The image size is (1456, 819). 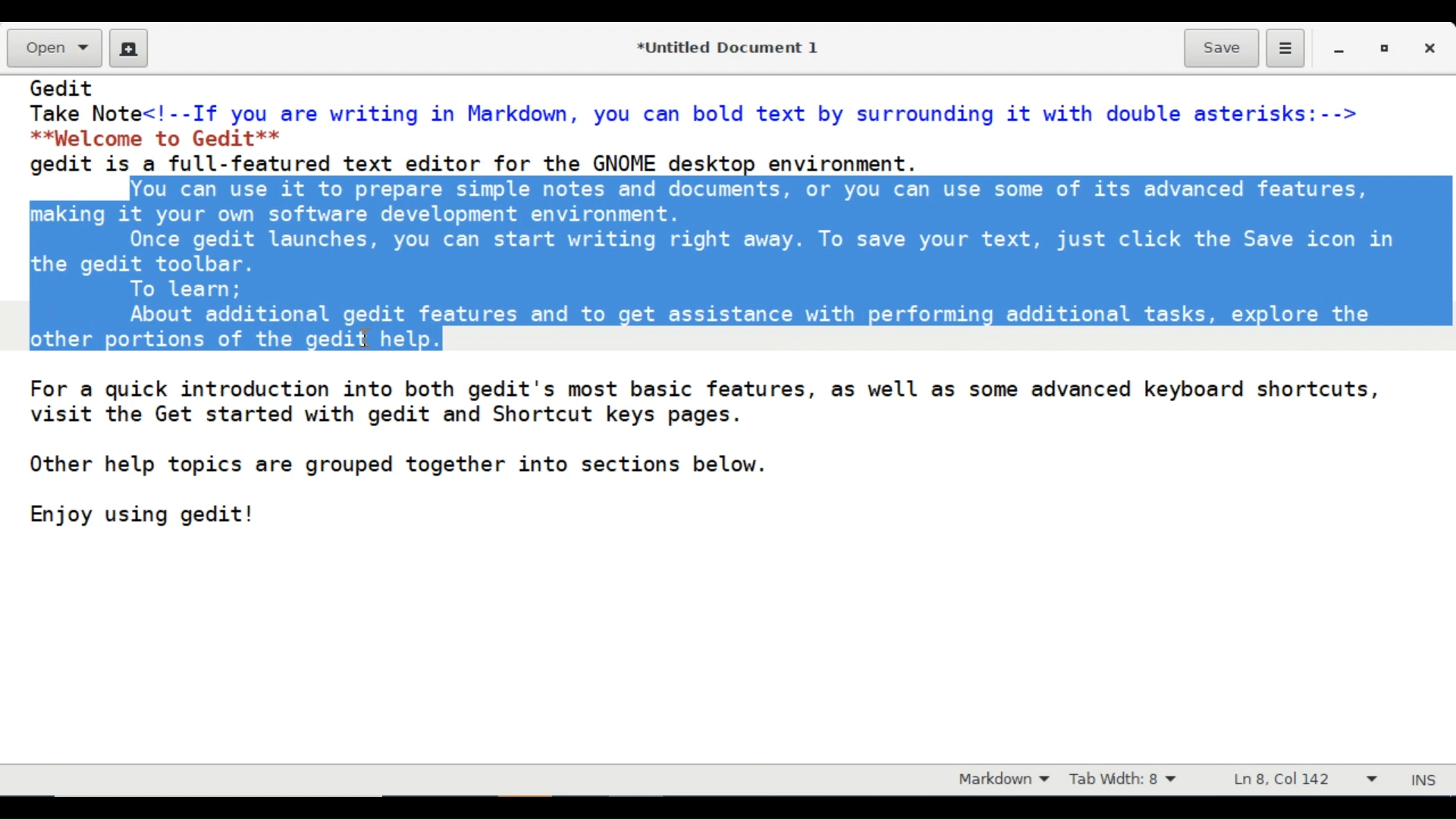 I want to click on New File, so click(x=129, y=48).